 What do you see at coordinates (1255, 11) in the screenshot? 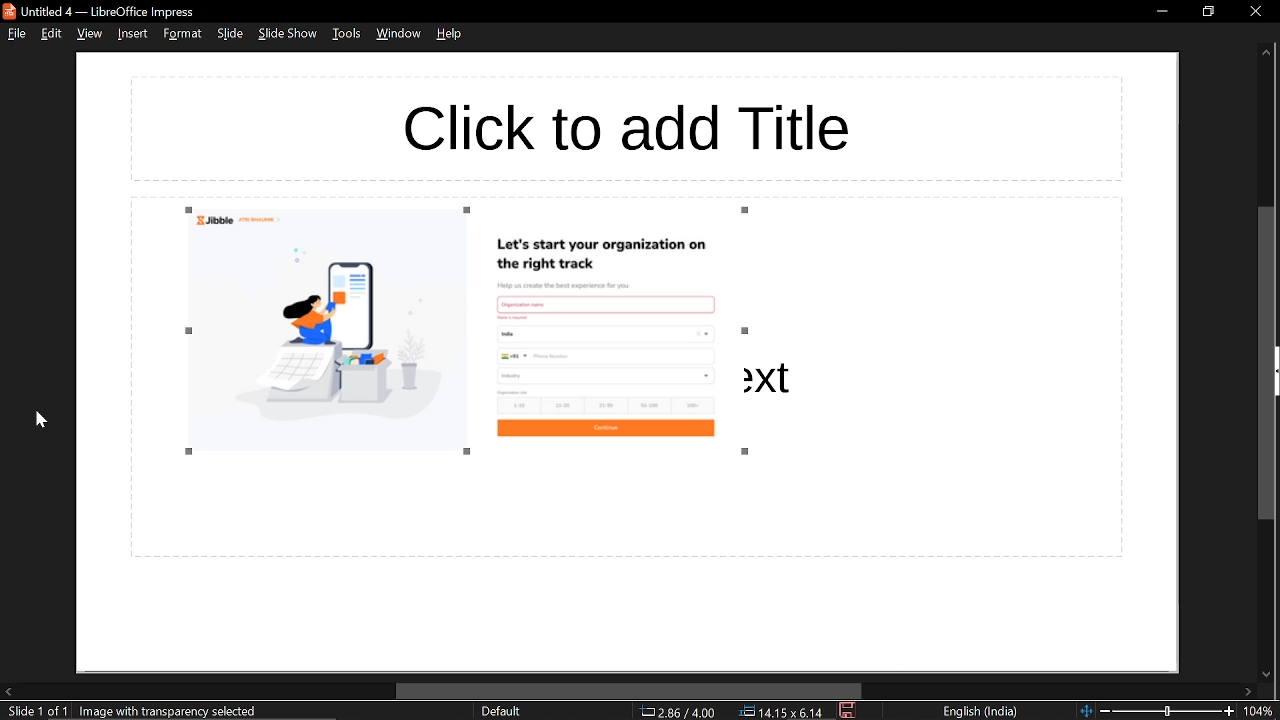
I see `close` at bounding box center [1255, 11].